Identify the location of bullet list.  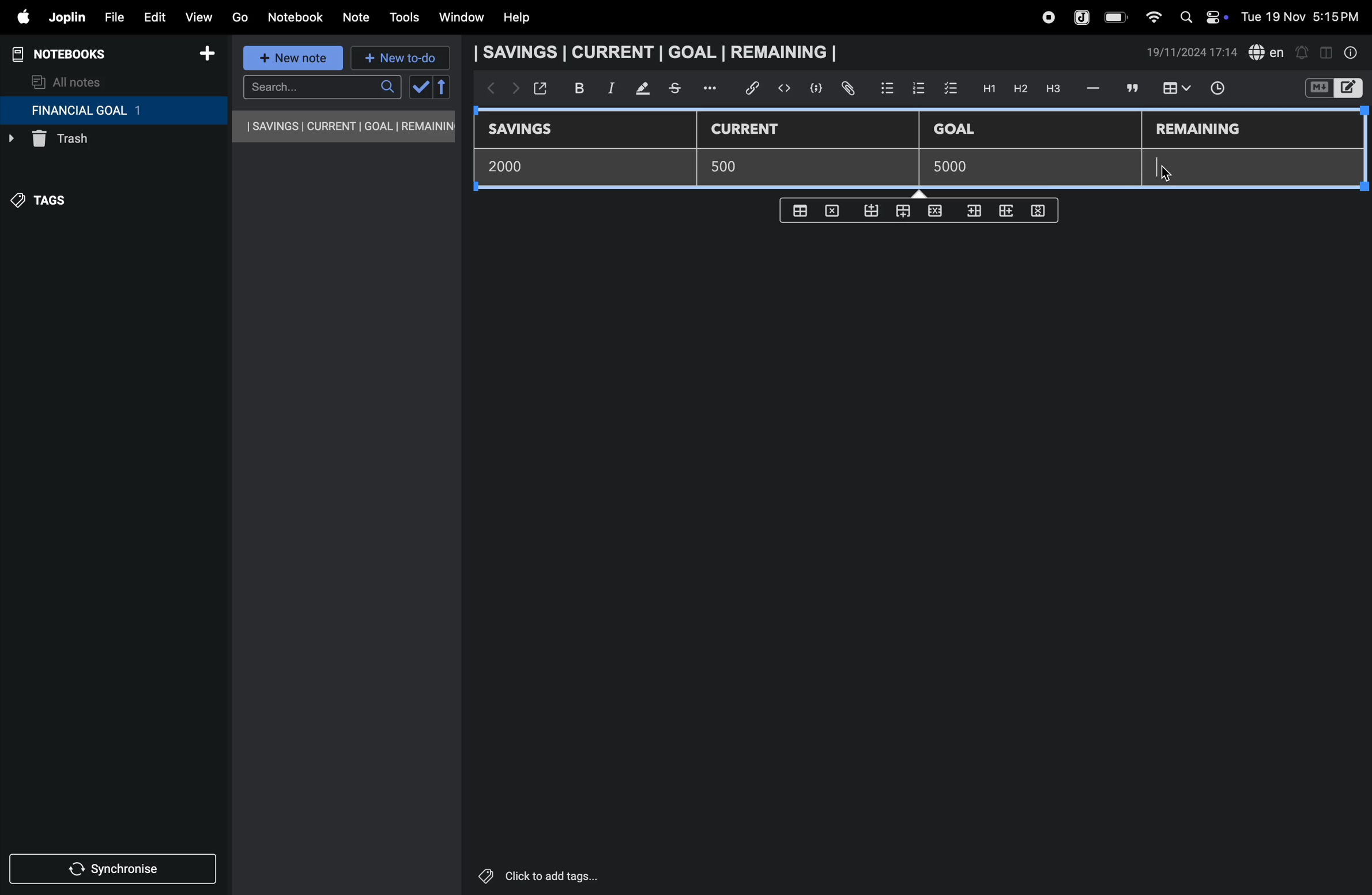
(887, 87).